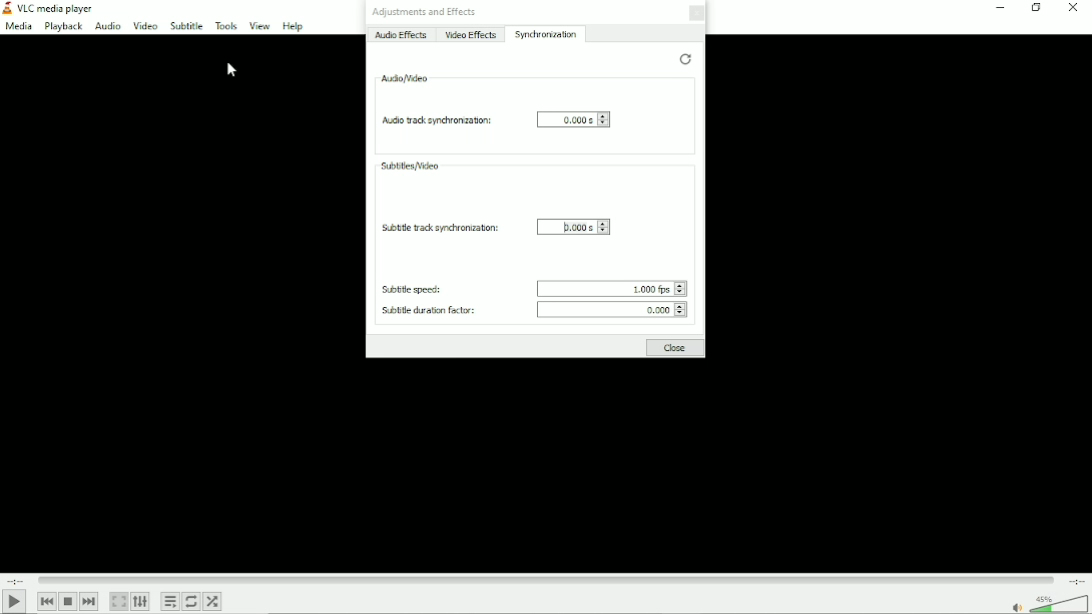 This screenshot has width=1092, height=614. Describe the element at coordinates (427, 311) in the screenshot. I see `Subtitle duration factor` at that location.